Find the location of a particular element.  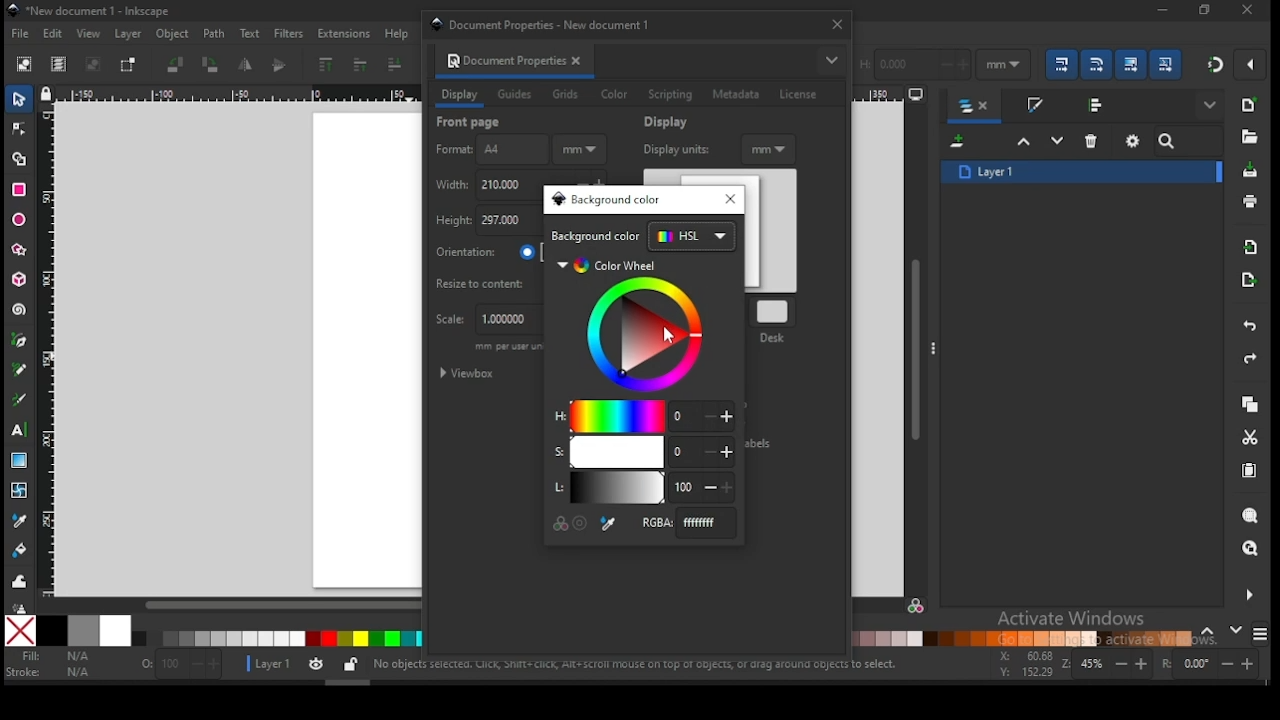

scale is located at coordinates (483, 320).